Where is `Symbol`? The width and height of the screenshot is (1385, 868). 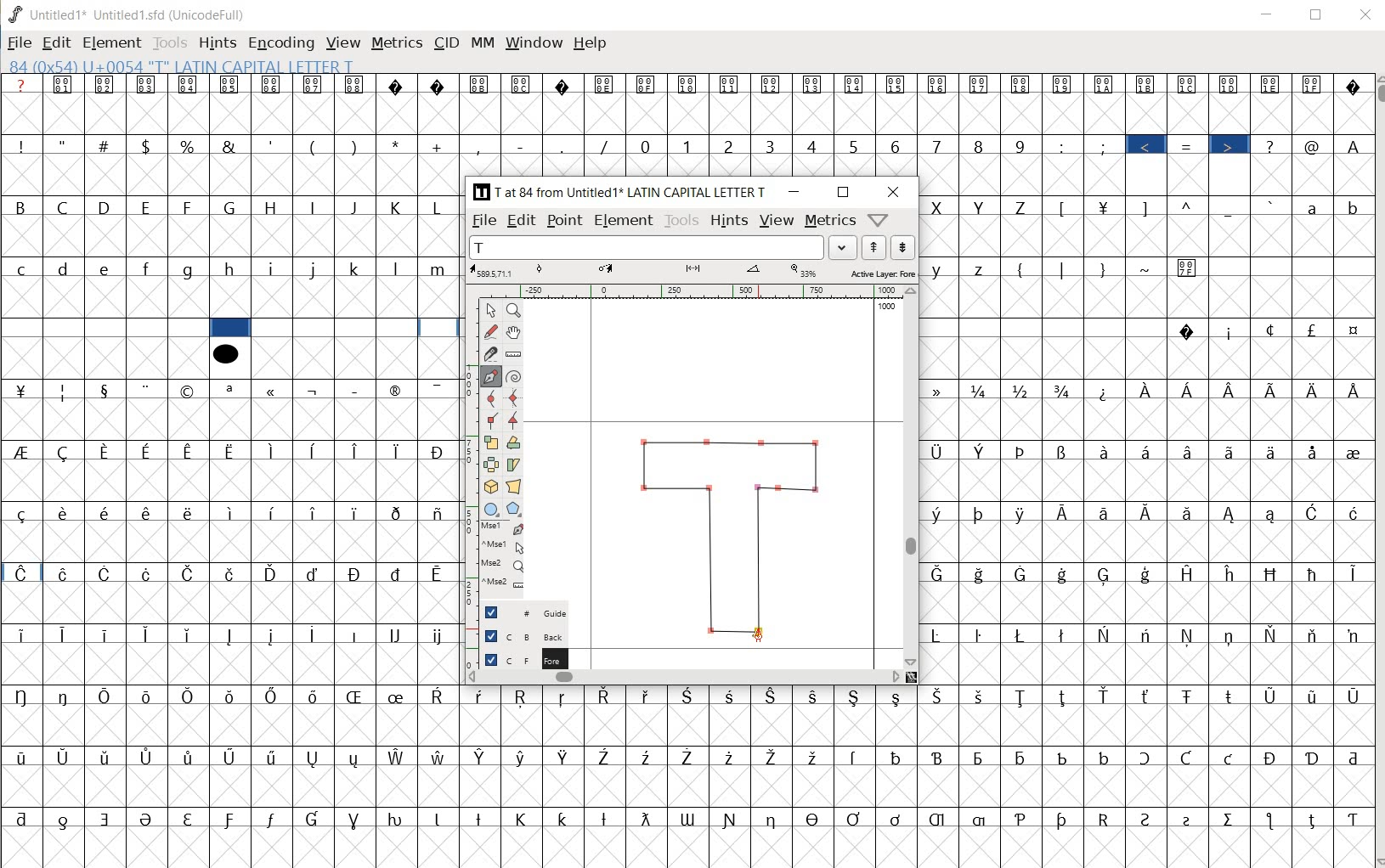 Symbol is located at coordinates (605, 755).